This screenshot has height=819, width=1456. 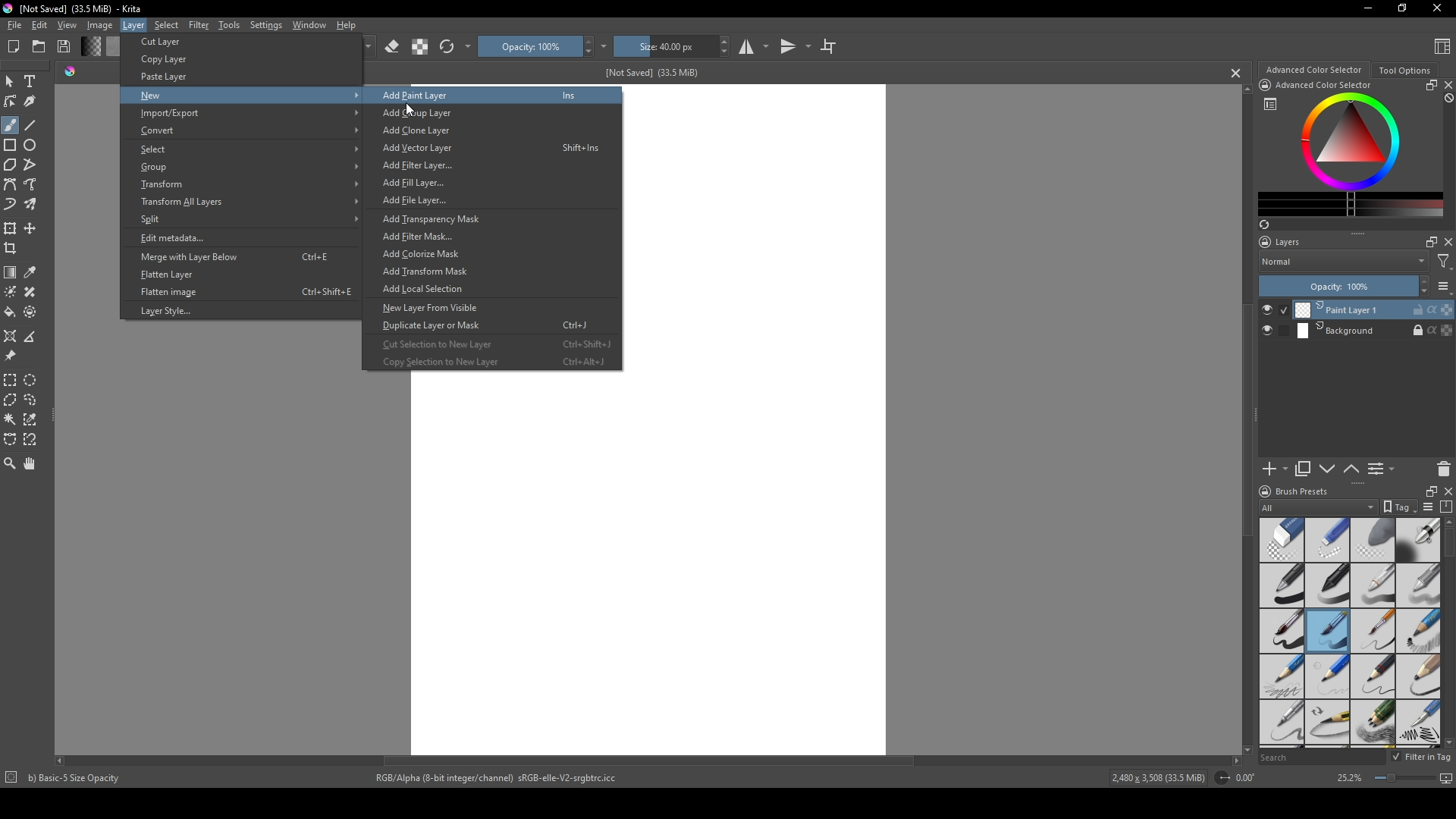 I want to click on Tool Options, so click(x=1404, y=71).